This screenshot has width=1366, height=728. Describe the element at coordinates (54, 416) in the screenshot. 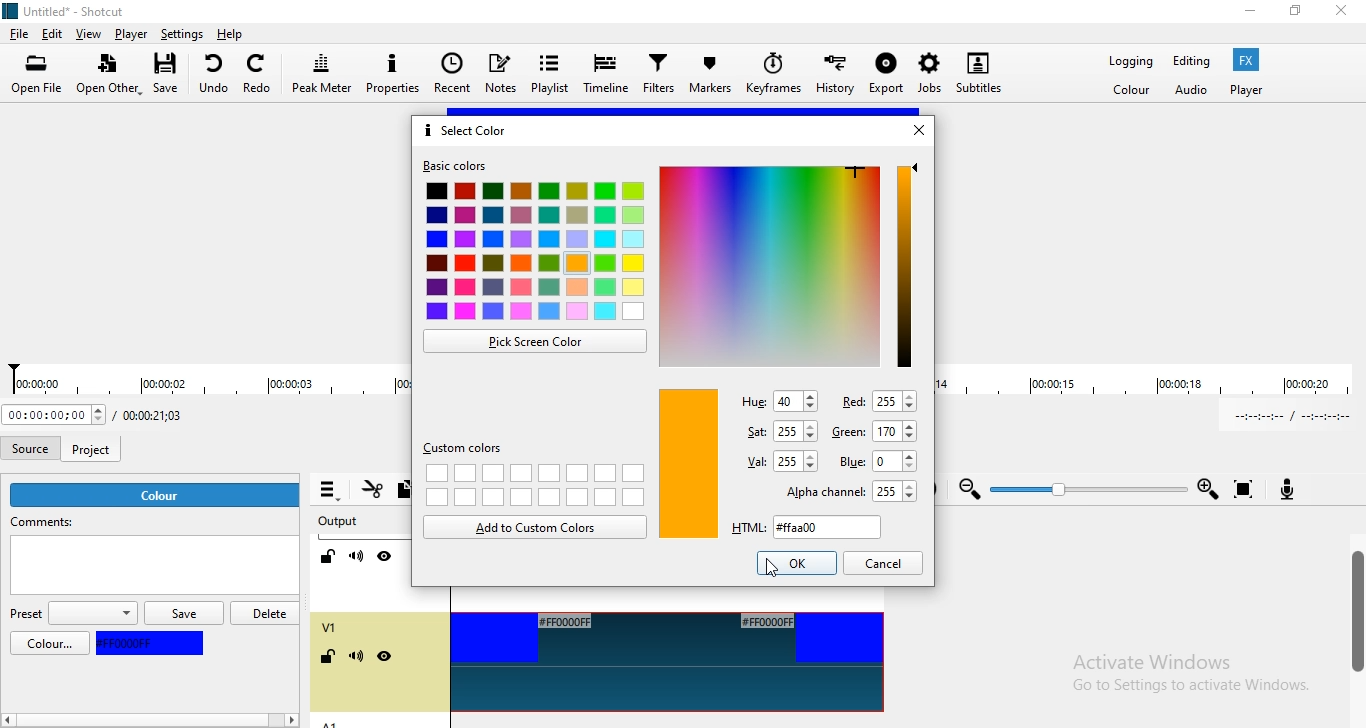

I see `Current position` at that location.